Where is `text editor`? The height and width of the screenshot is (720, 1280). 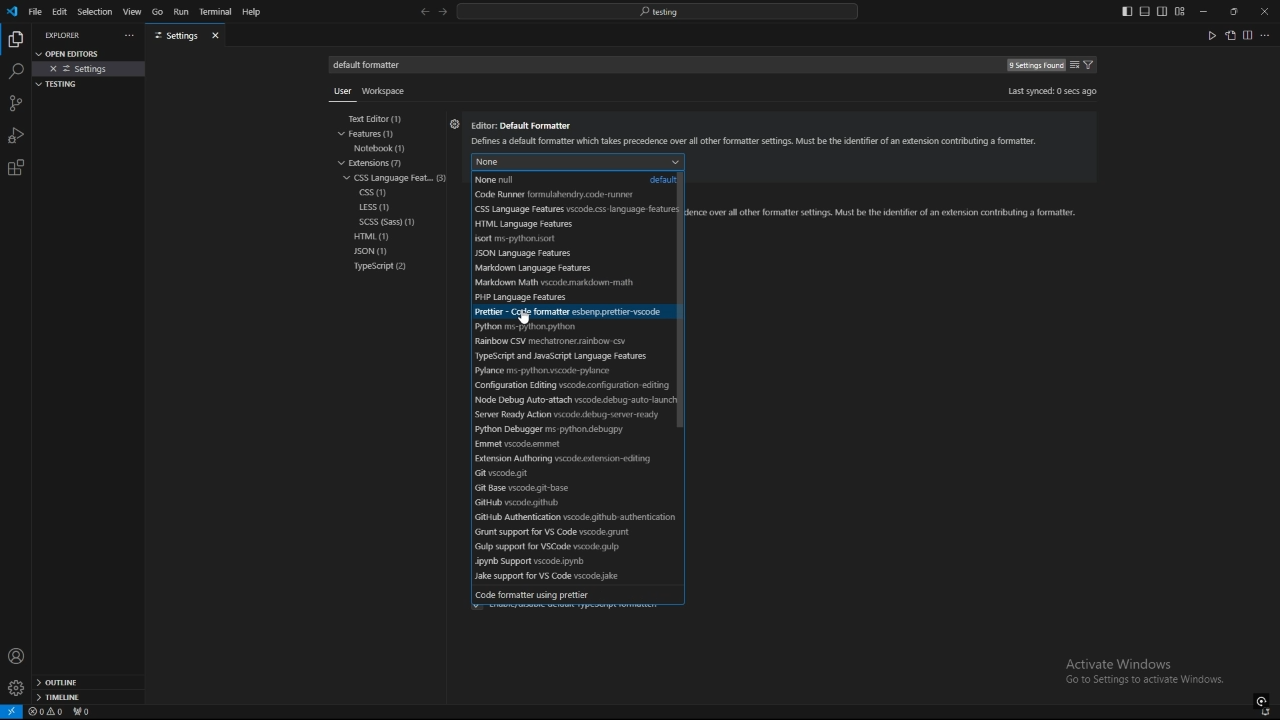 text editor is located at coordinates (384, 119).